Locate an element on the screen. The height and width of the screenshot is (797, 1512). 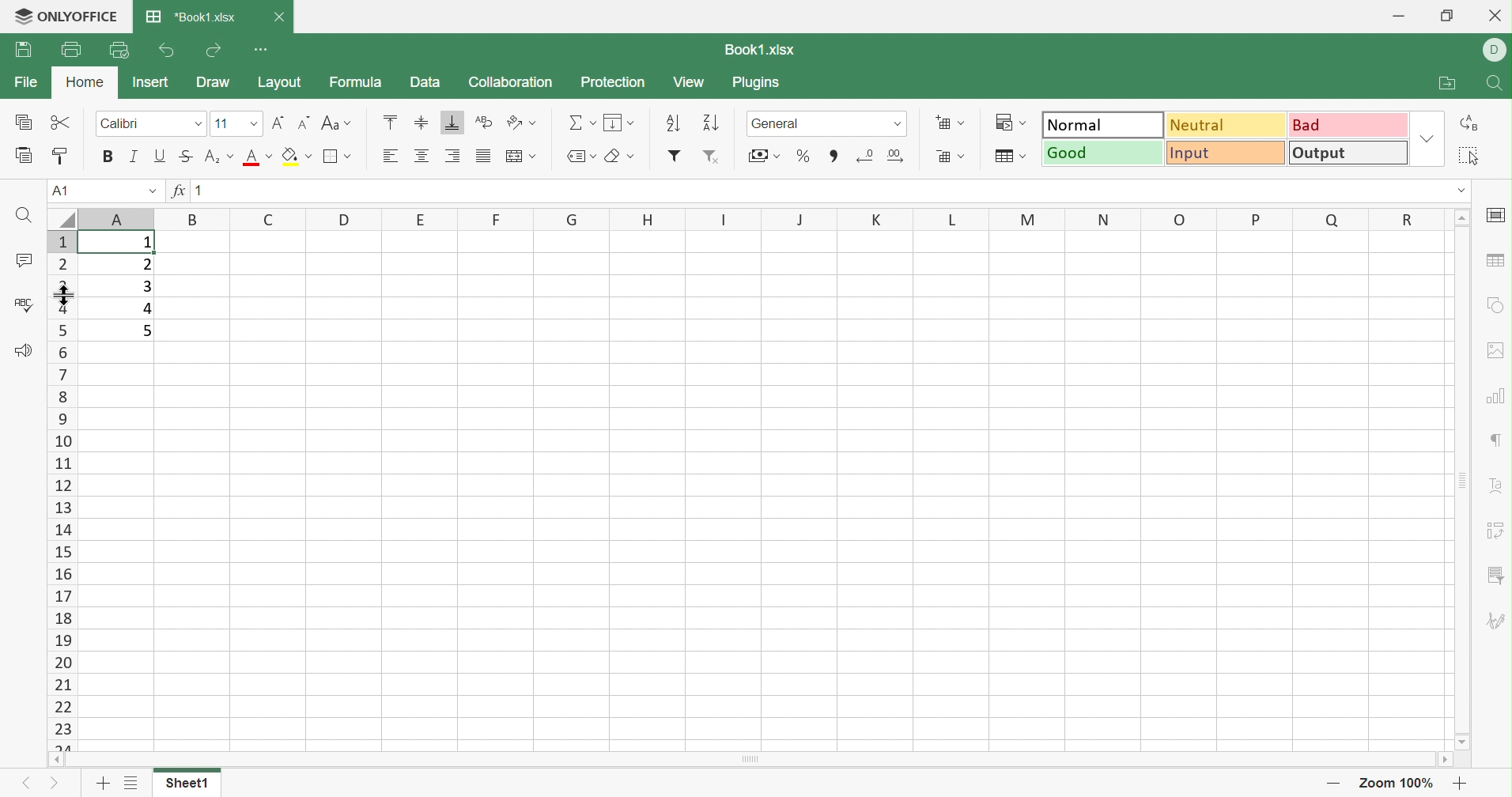
Text Art settings is located at coordinates (1495, 487).